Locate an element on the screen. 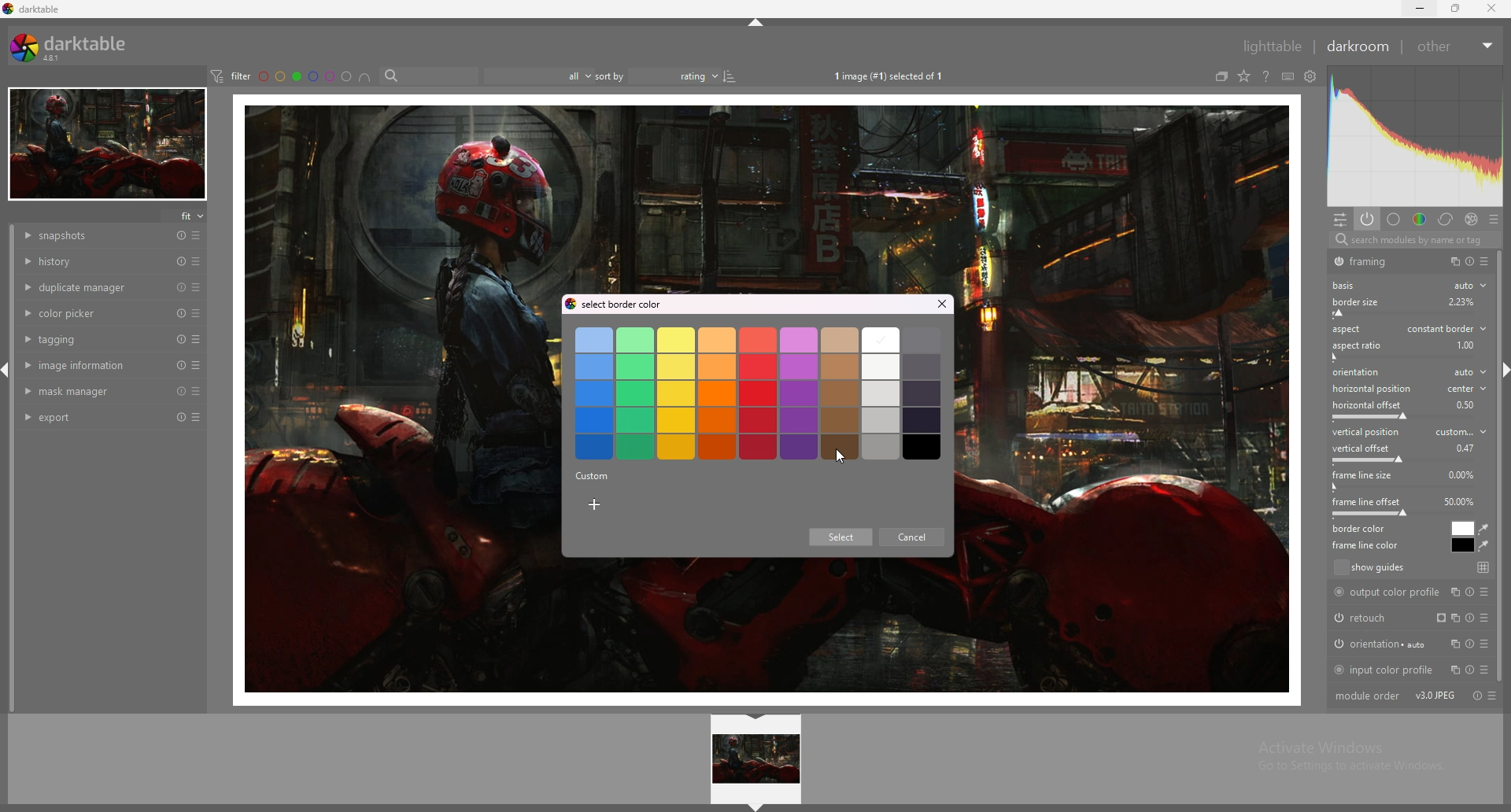 The image size is (1511, 812). frame line offset bar is located at coordinates (1405, 515).